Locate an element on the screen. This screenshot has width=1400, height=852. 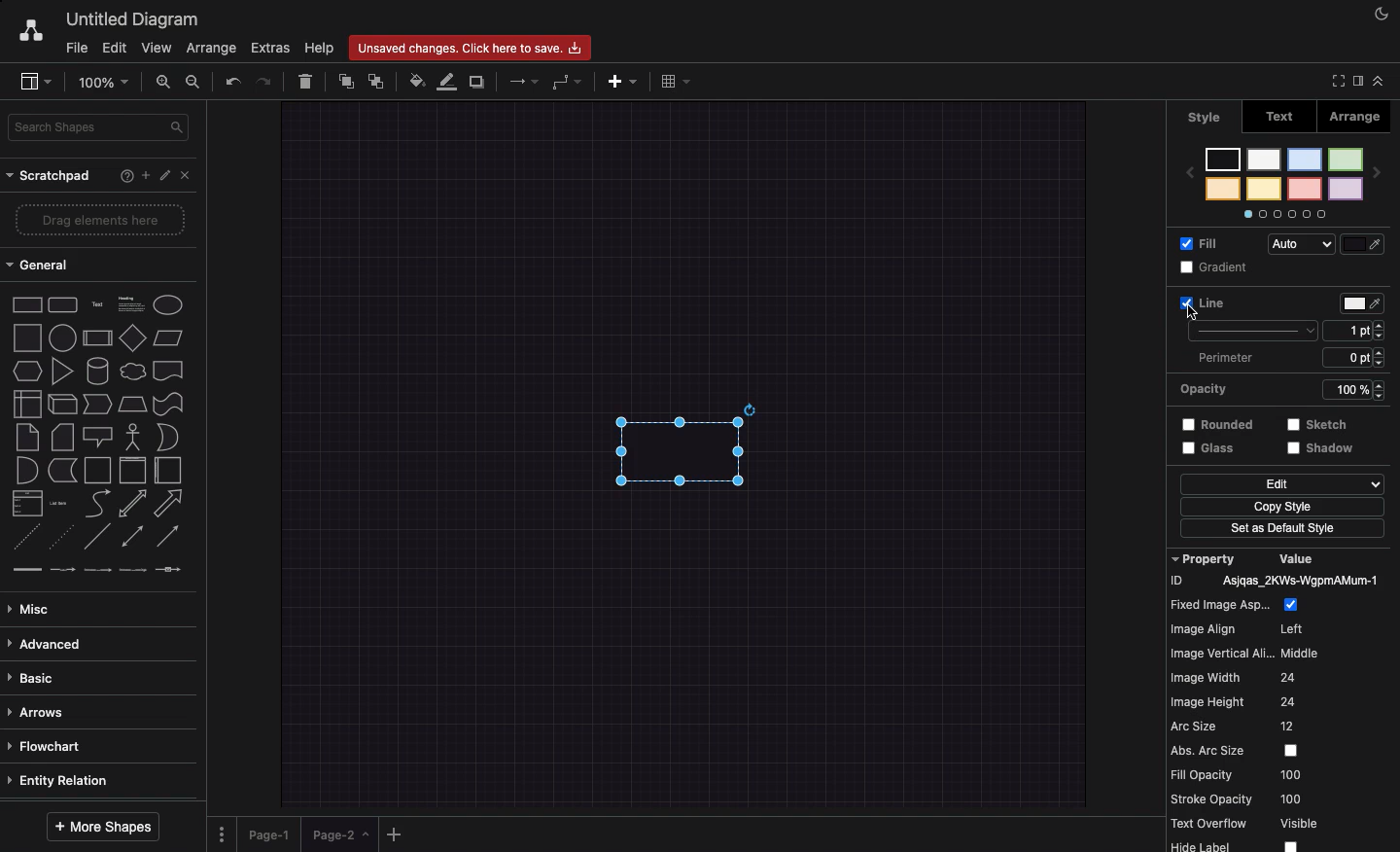
vertical container is located at coordinates (131, 471).